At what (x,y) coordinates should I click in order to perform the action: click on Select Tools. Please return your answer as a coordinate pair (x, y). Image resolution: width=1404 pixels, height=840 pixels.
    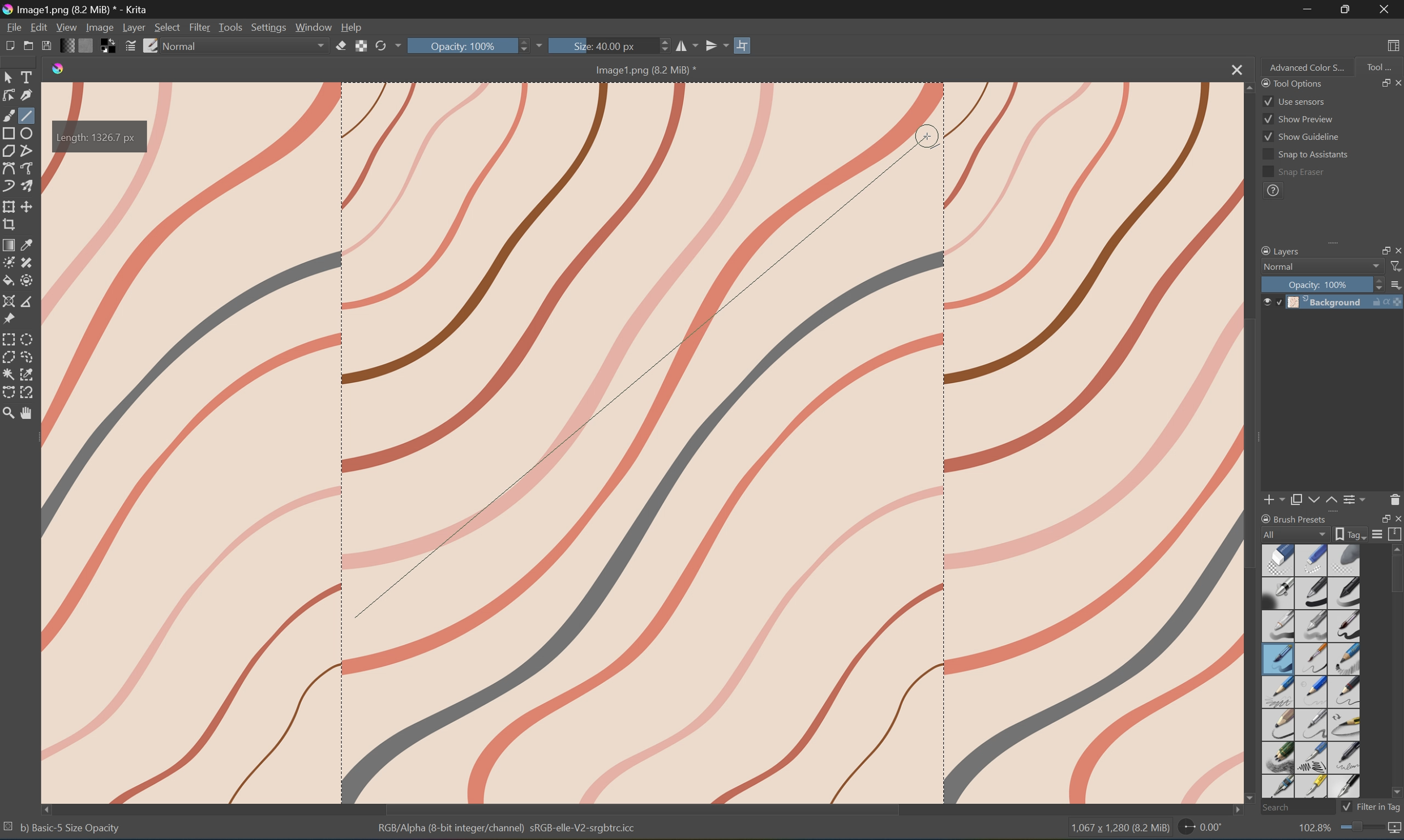
    Looking at the image, I should click on (28, 76).